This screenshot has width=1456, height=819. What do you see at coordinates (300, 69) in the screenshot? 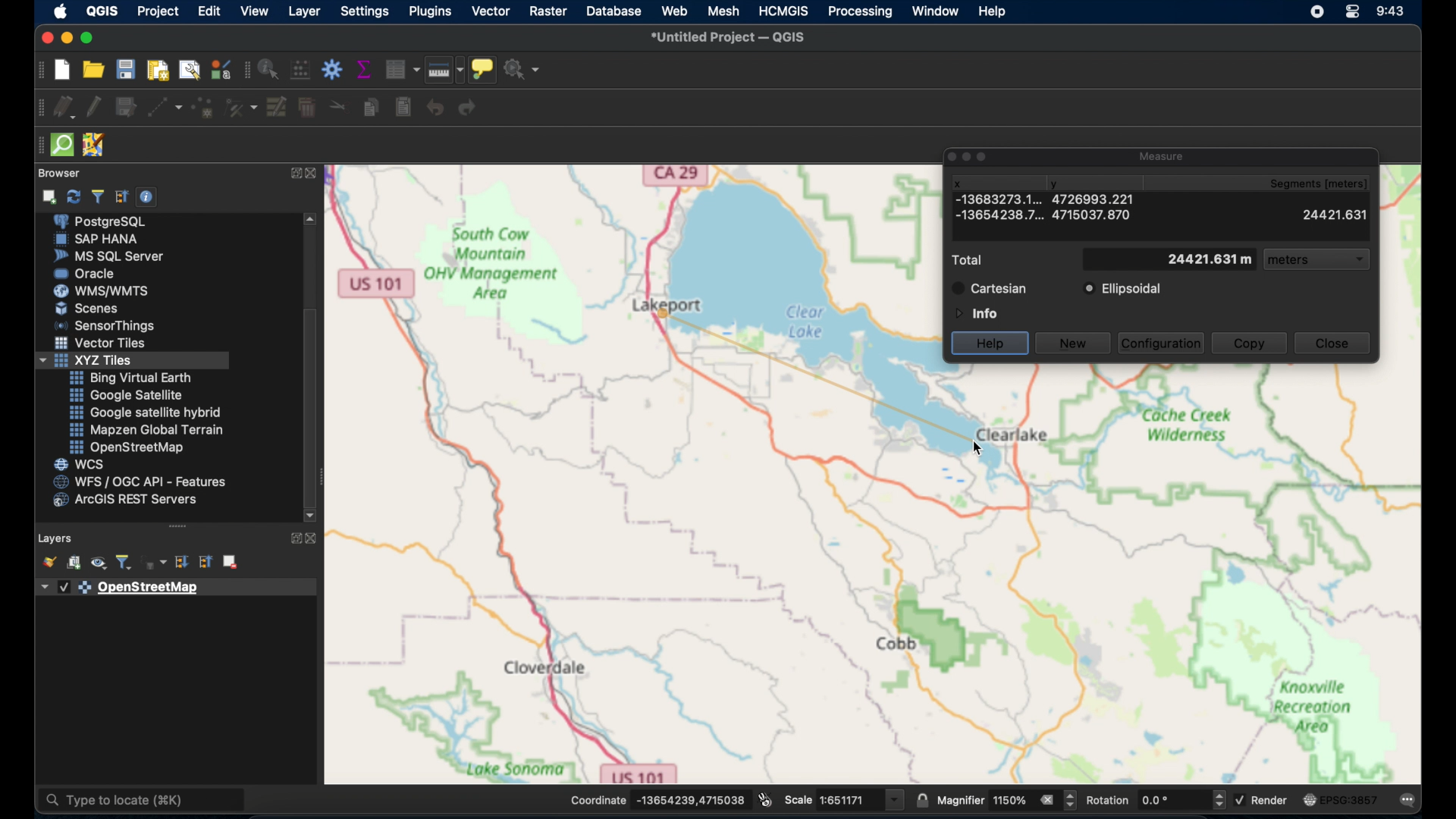
I see `open field calculator` at bounding box center [300, 69].